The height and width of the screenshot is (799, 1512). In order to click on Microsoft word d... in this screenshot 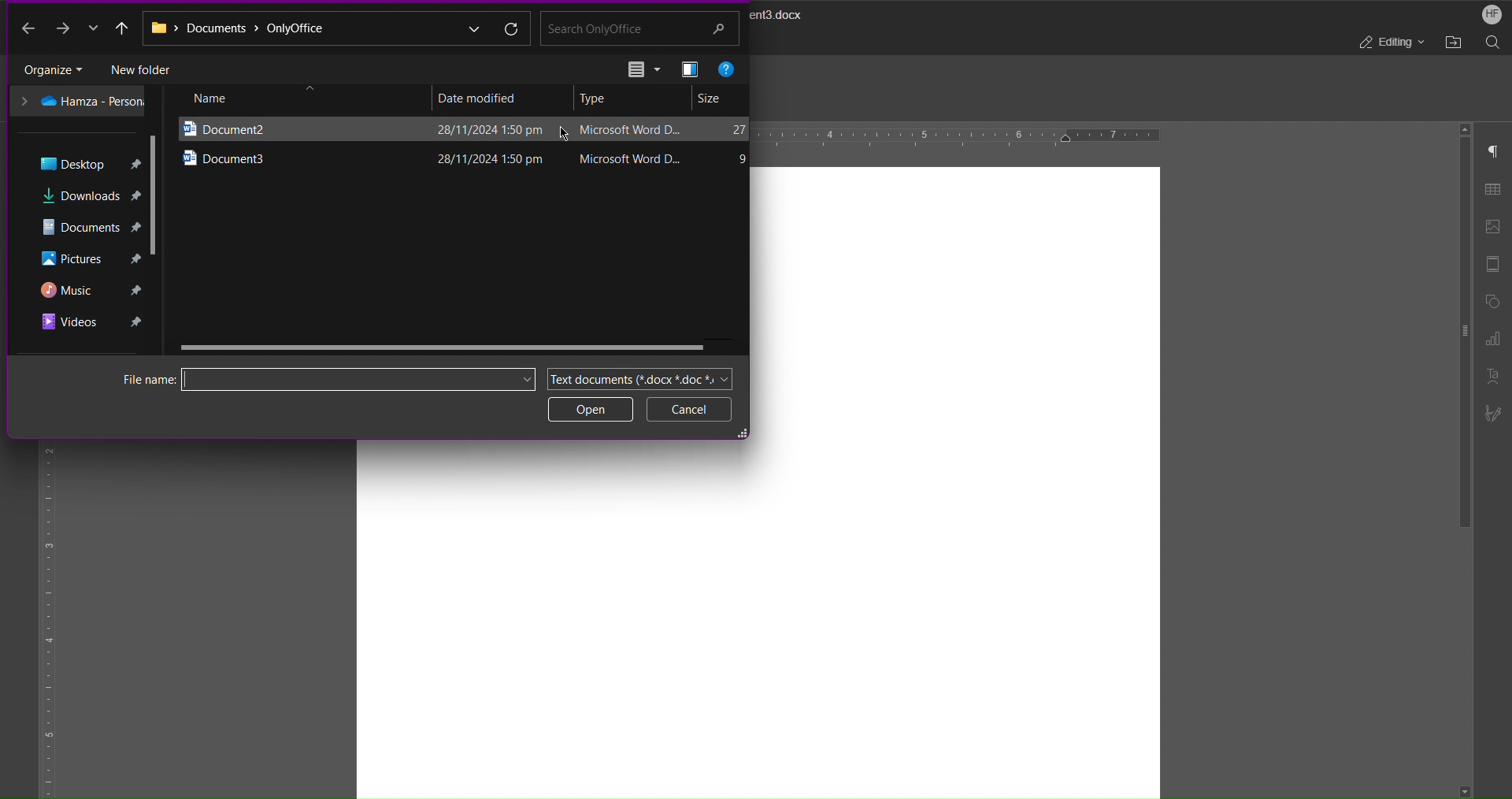, I will do `click(628, 130)`.